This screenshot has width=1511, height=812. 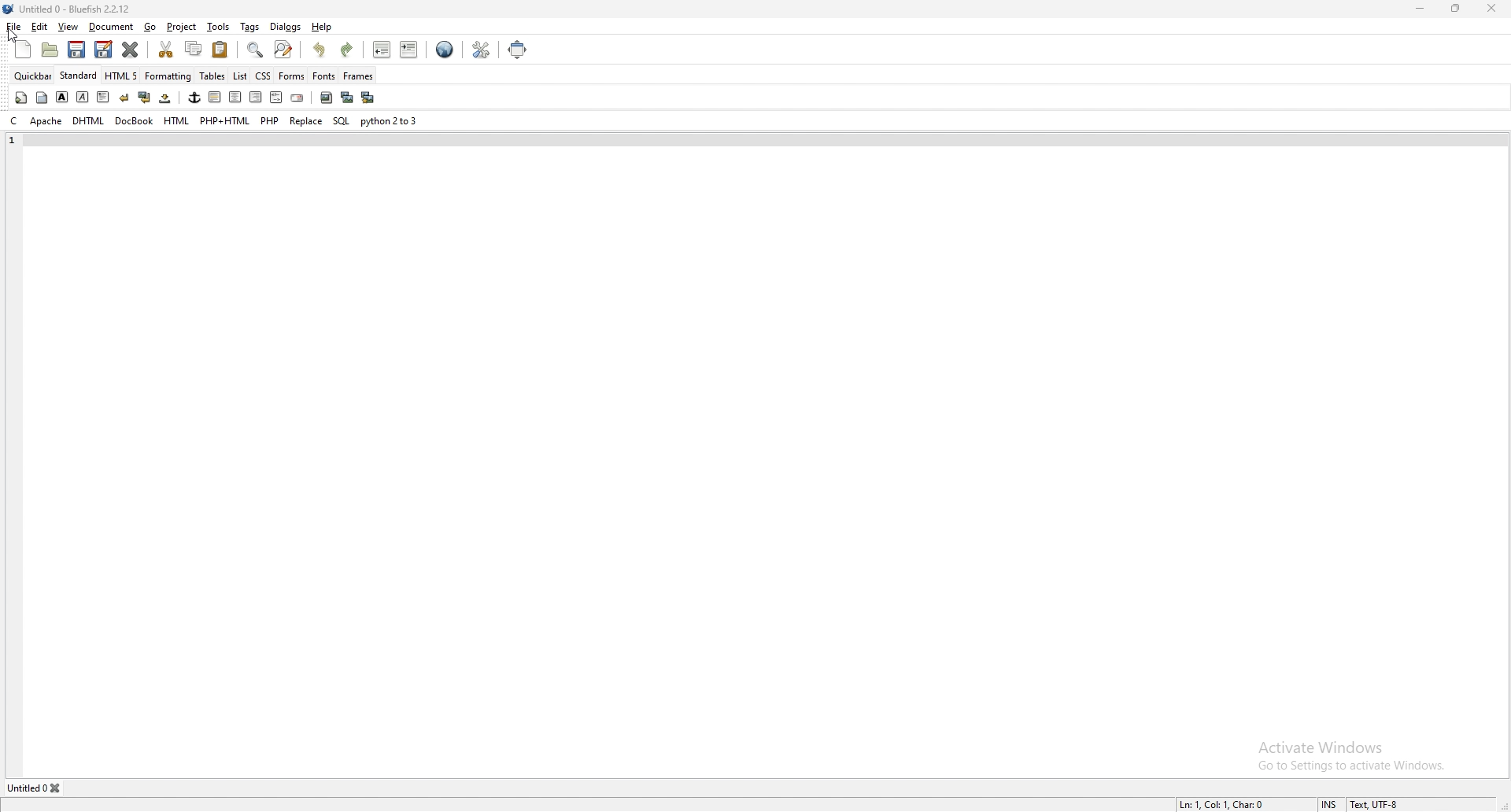 What do you see at coordinates (39, 28) in the screenshot?
I see `edit` at bounding box center [39, 28].